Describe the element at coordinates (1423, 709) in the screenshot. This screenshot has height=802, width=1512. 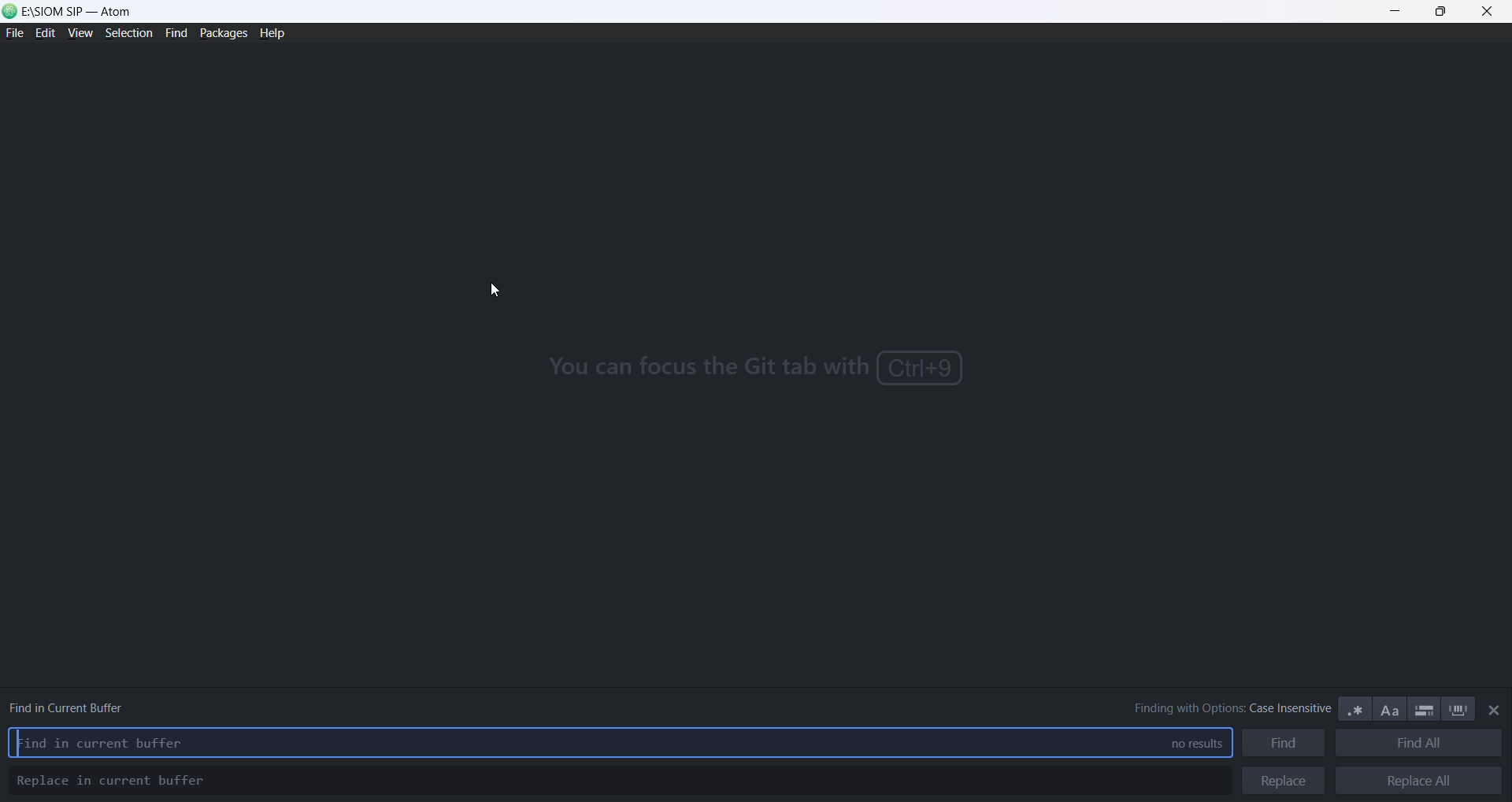
I see `only in selection` at that location.